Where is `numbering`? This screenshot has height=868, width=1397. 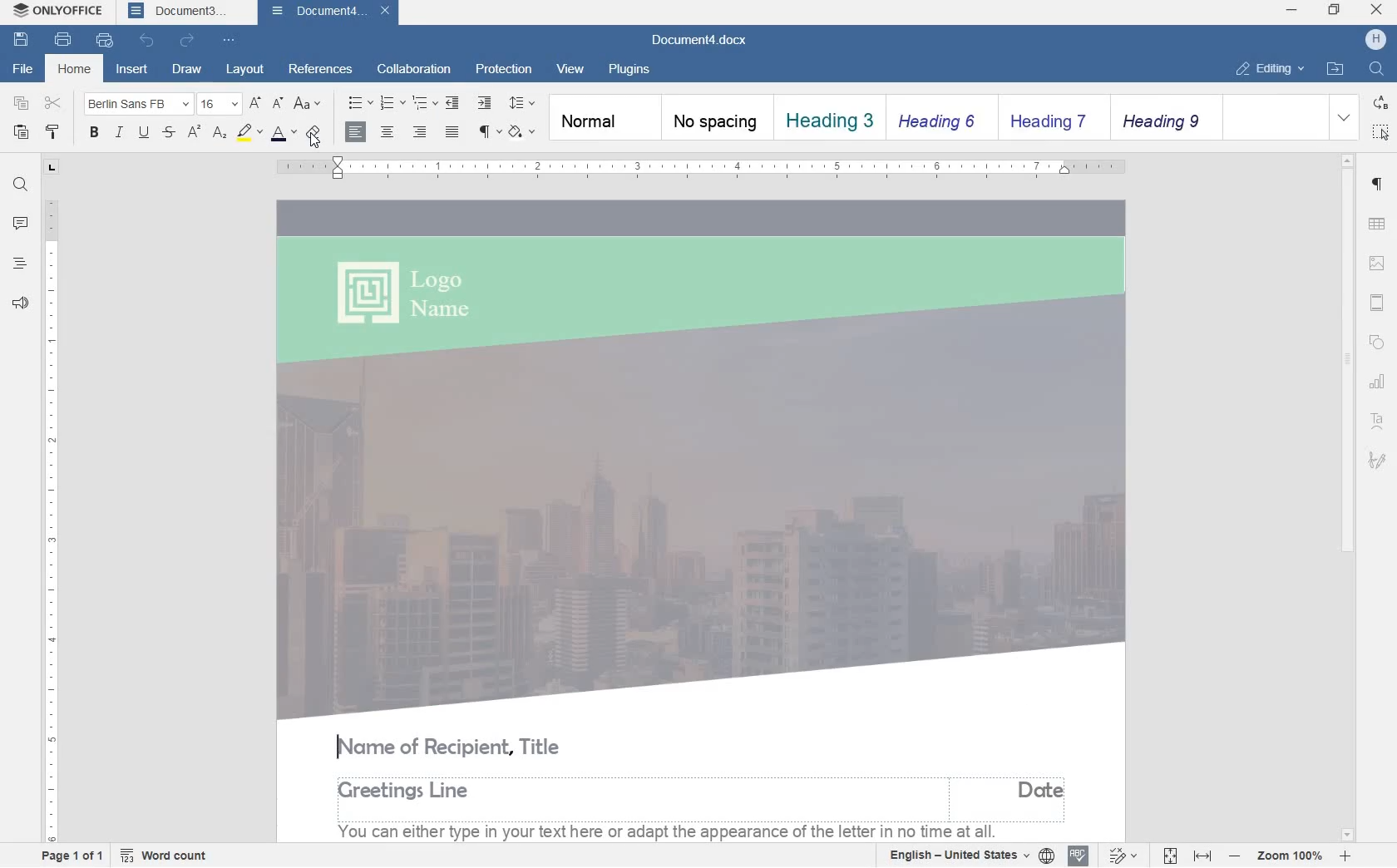
numbering is located at coordinates (392, 103).